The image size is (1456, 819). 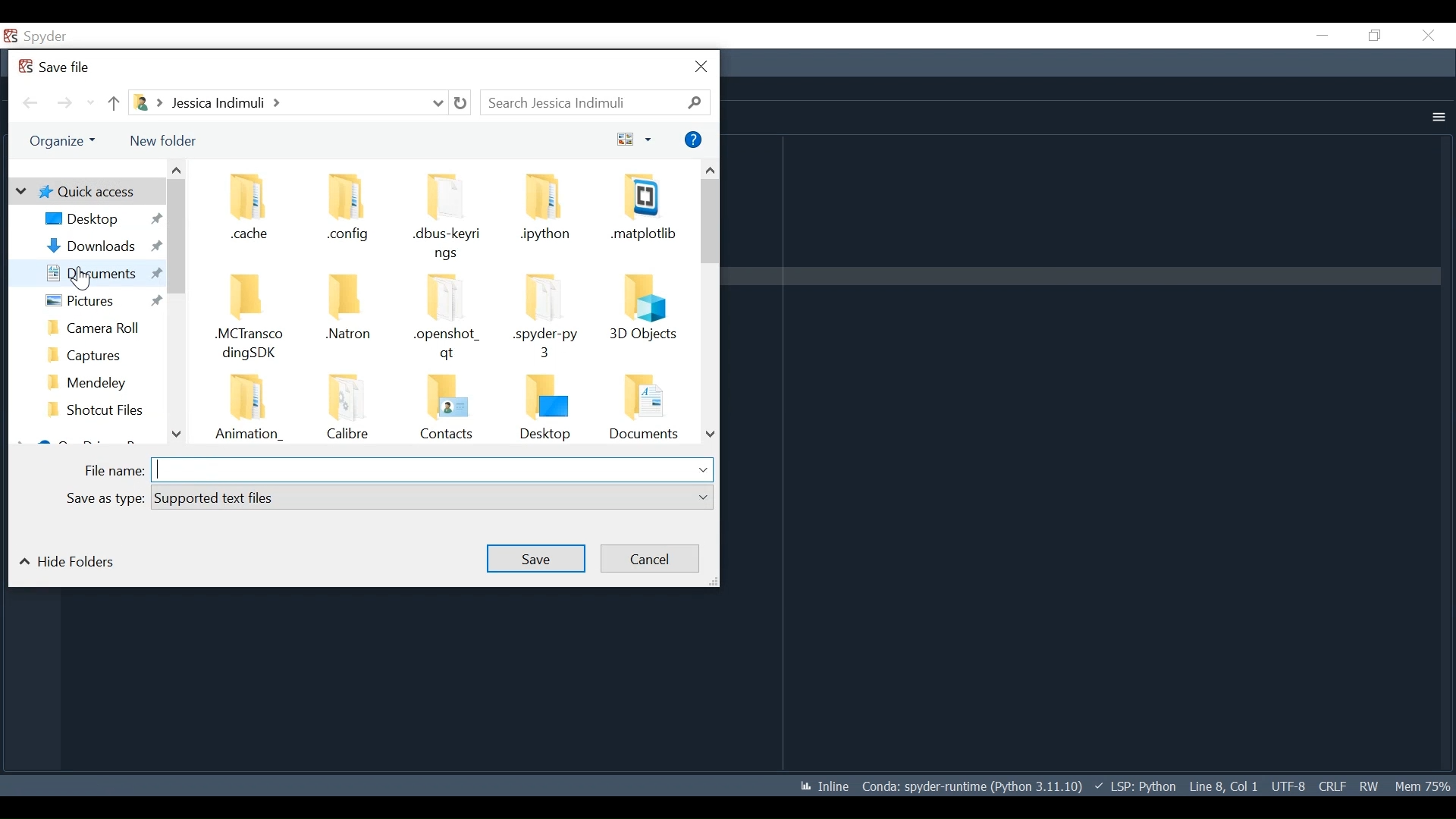 What do you see at coordinates (445, 408) in the screenshot?
I see `Folder` at bounding box center [445, 408].